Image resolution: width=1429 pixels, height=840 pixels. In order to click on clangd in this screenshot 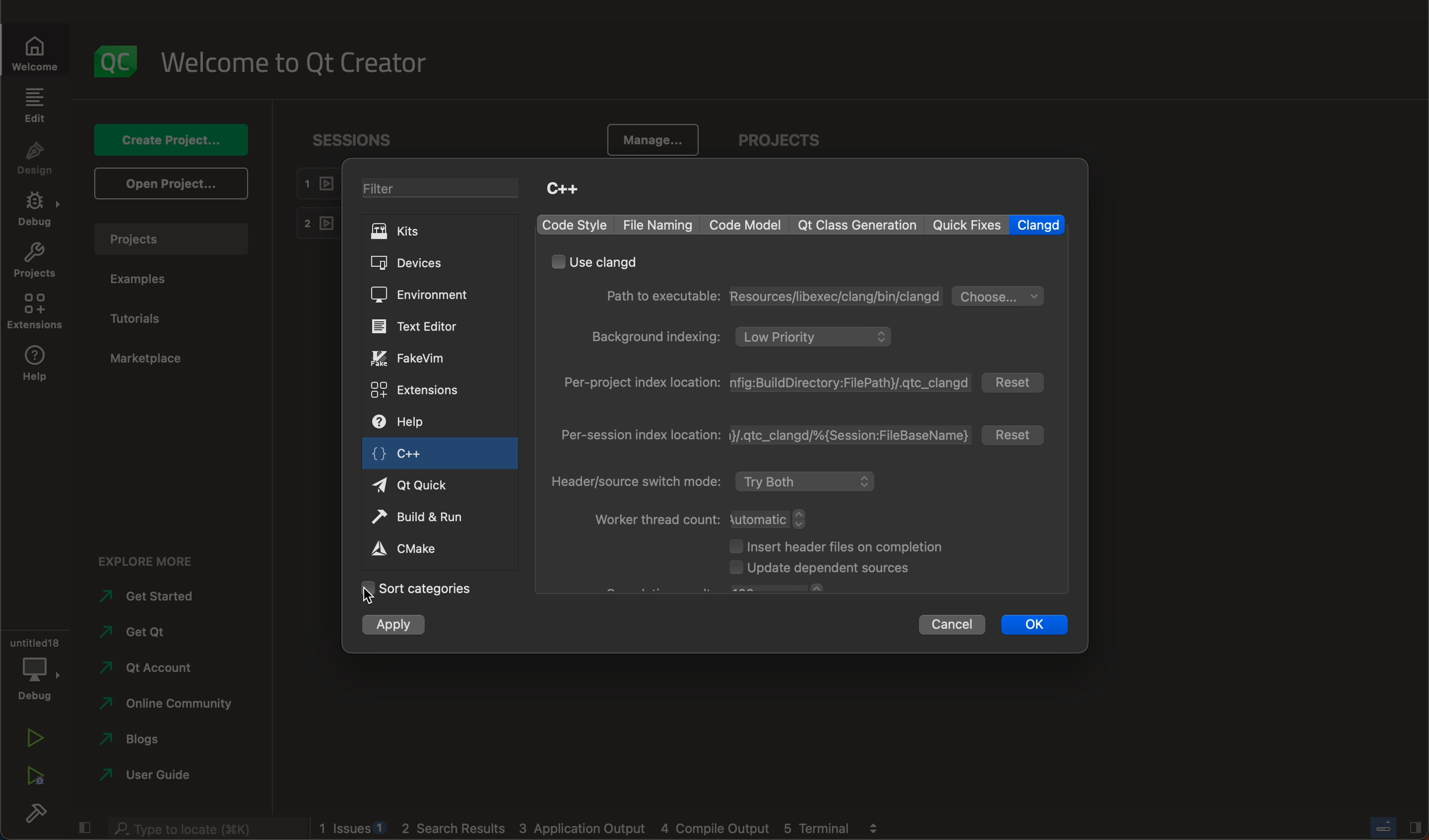, I will do `click(1038, 225)`.